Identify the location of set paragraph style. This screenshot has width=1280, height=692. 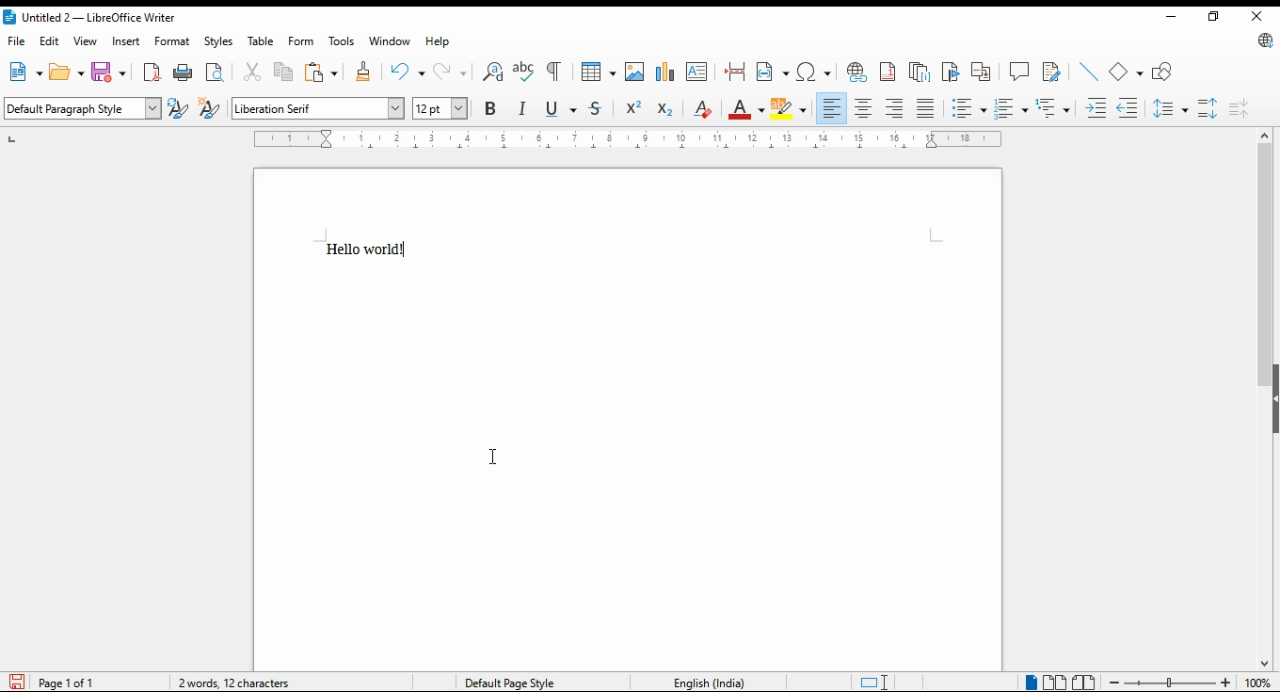
(81, 109).